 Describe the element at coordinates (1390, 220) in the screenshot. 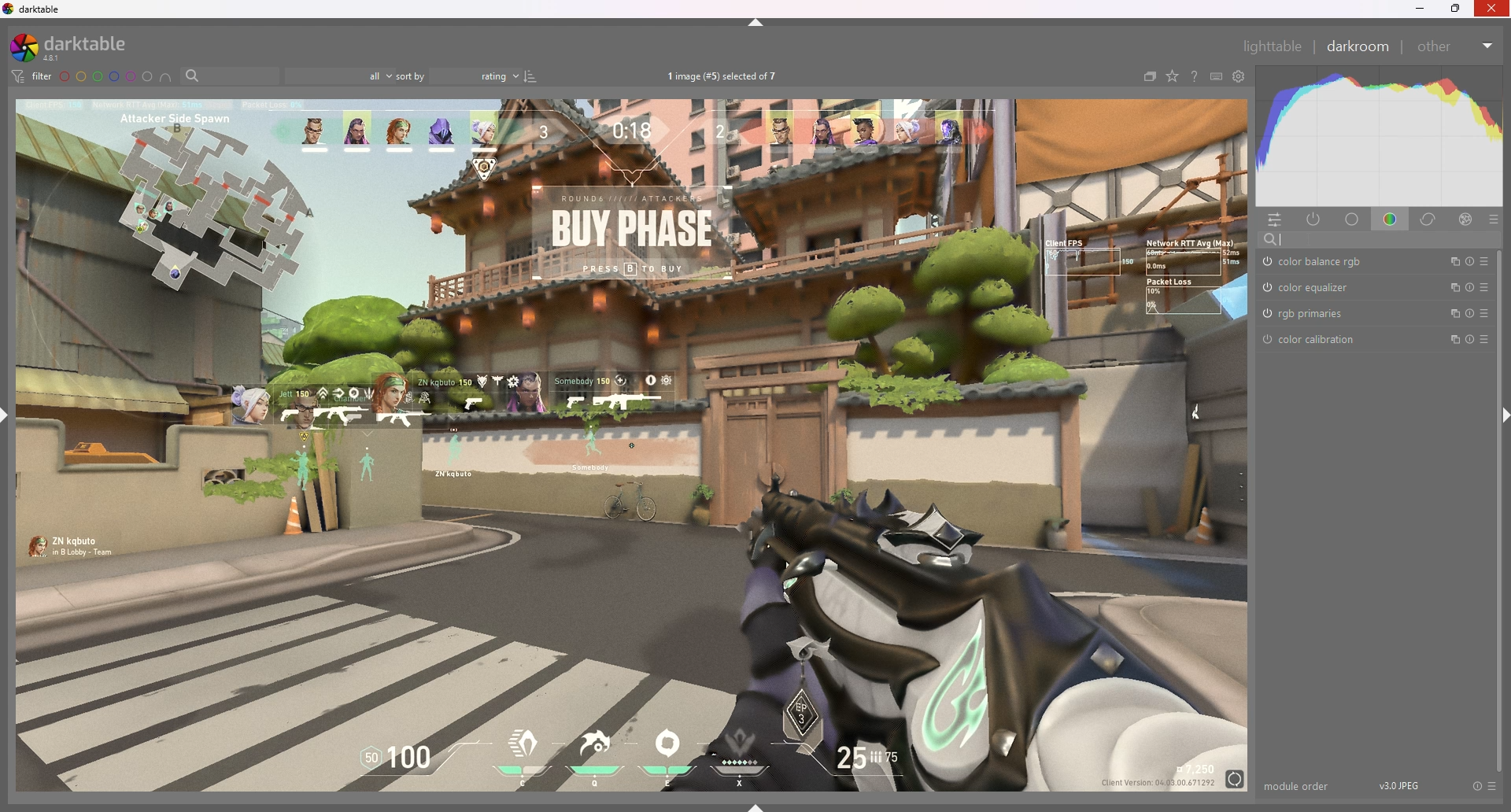

I see `color` at that location.